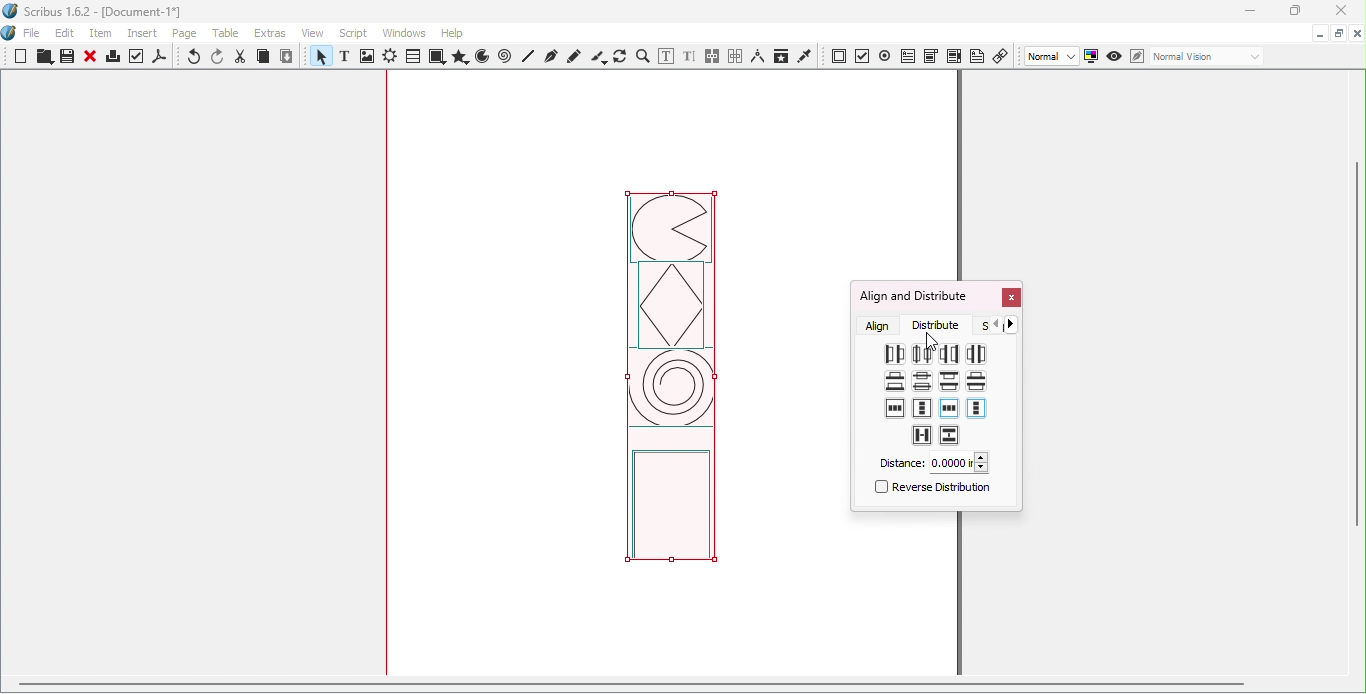 The width and height of the screenshot is (1366, 694). Describe the element at coordinates (1015, 324) in the screenshot. I see `Go forward` at that location.